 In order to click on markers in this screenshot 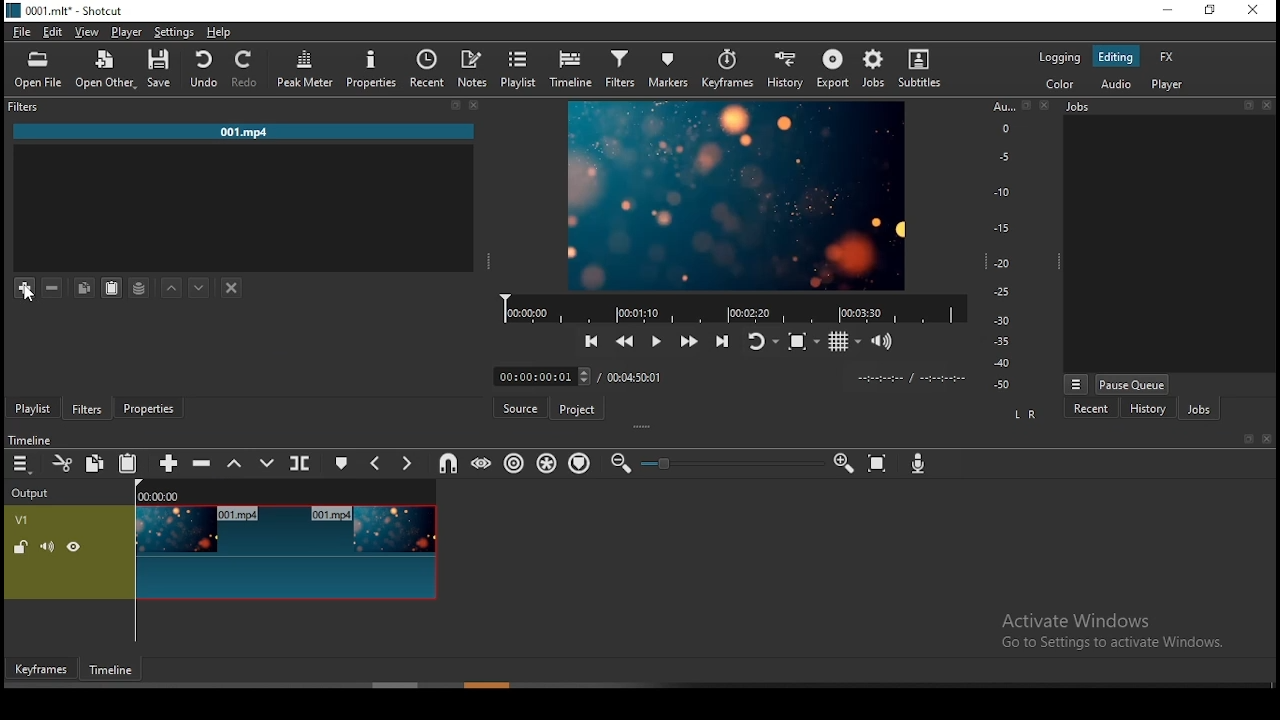, I will do `click(667, 68)`.